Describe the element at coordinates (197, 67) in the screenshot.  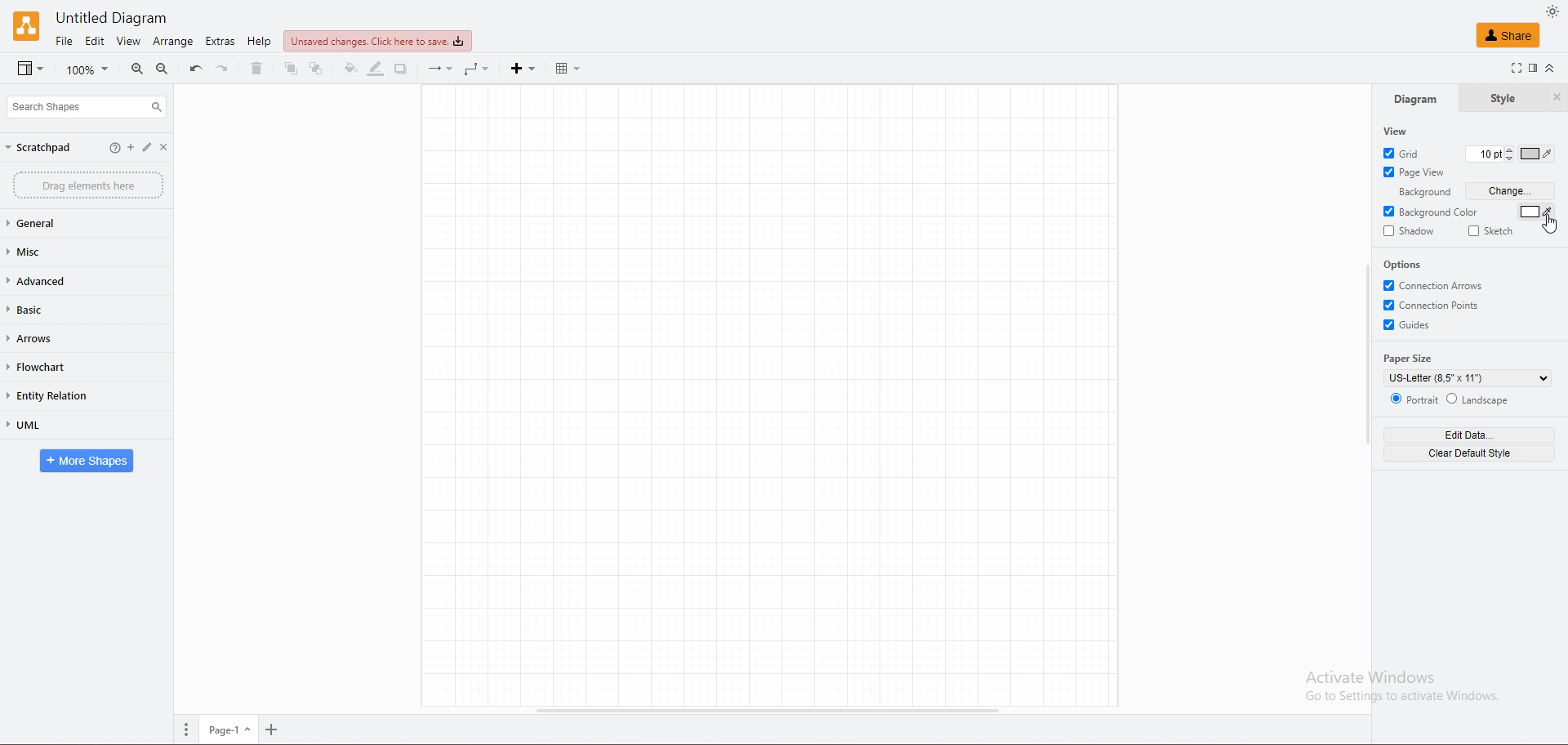
I see `undo` at that location.